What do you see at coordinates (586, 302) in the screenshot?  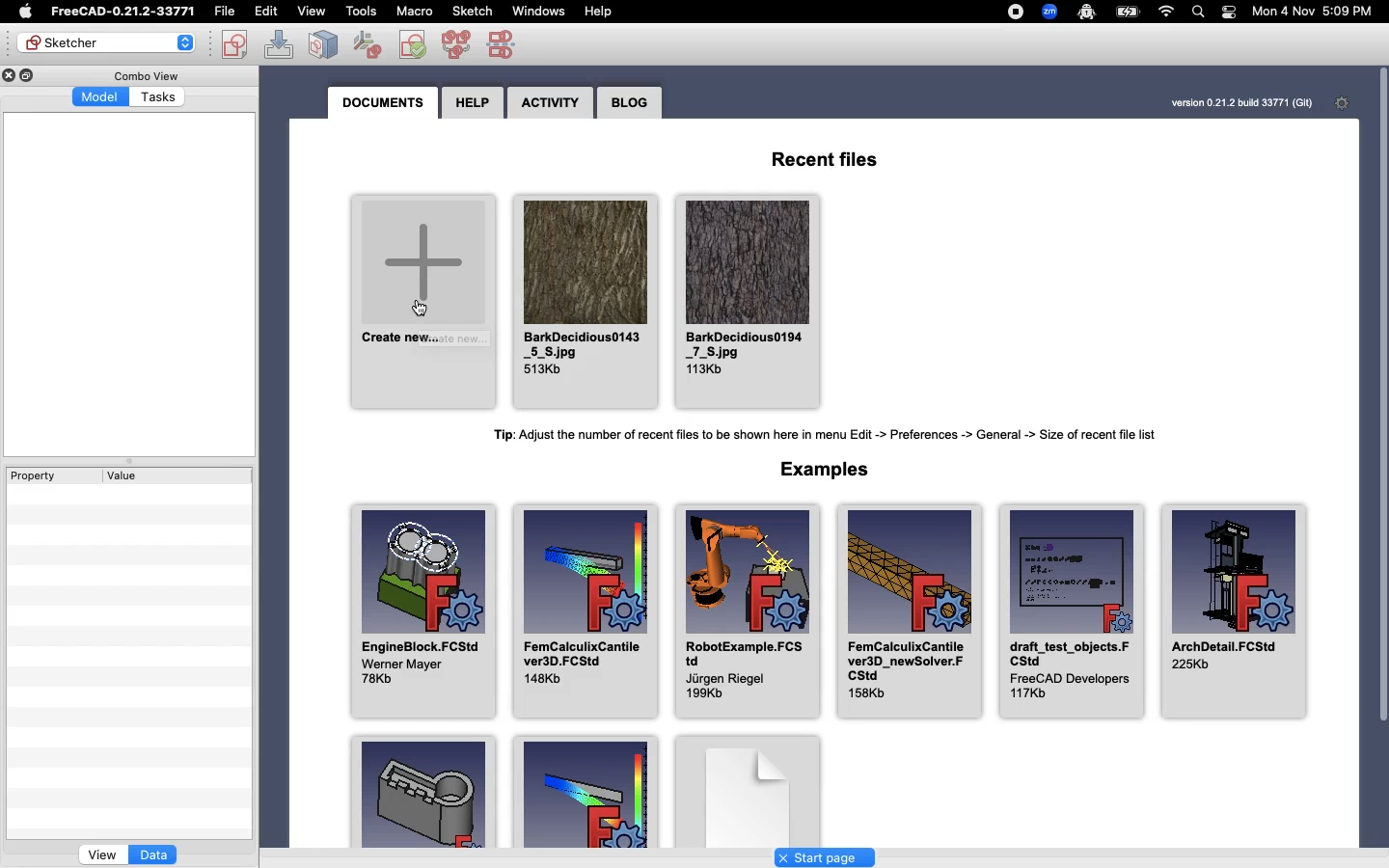 I see `BarkDecidious0143_5_S.jpg 513Kb` at bounding box center [586, 302].